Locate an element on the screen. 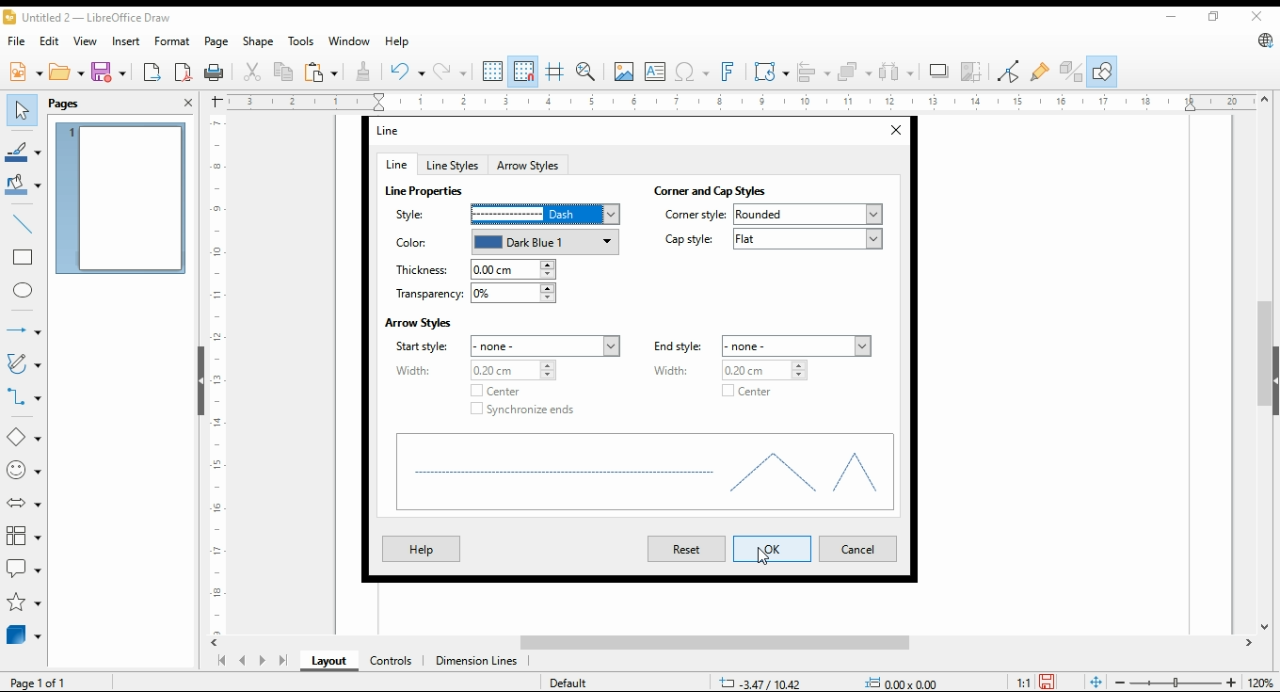 Image resolution: width=1280 pixels, height=692 pixels. rectangle is located at coordinates (22, 256).